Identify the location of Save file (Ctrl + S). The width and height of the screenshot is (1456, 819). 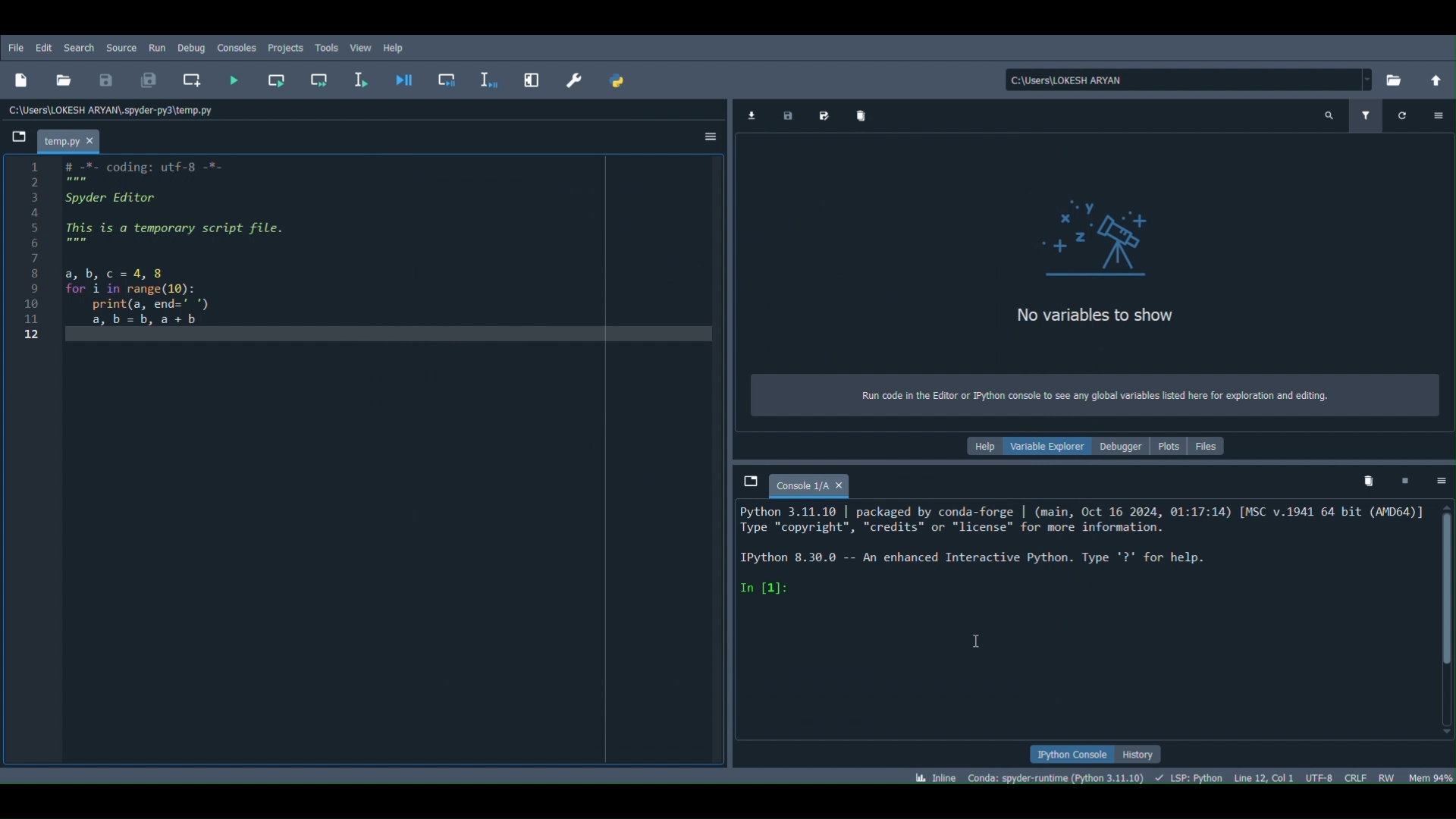
(106, 79).